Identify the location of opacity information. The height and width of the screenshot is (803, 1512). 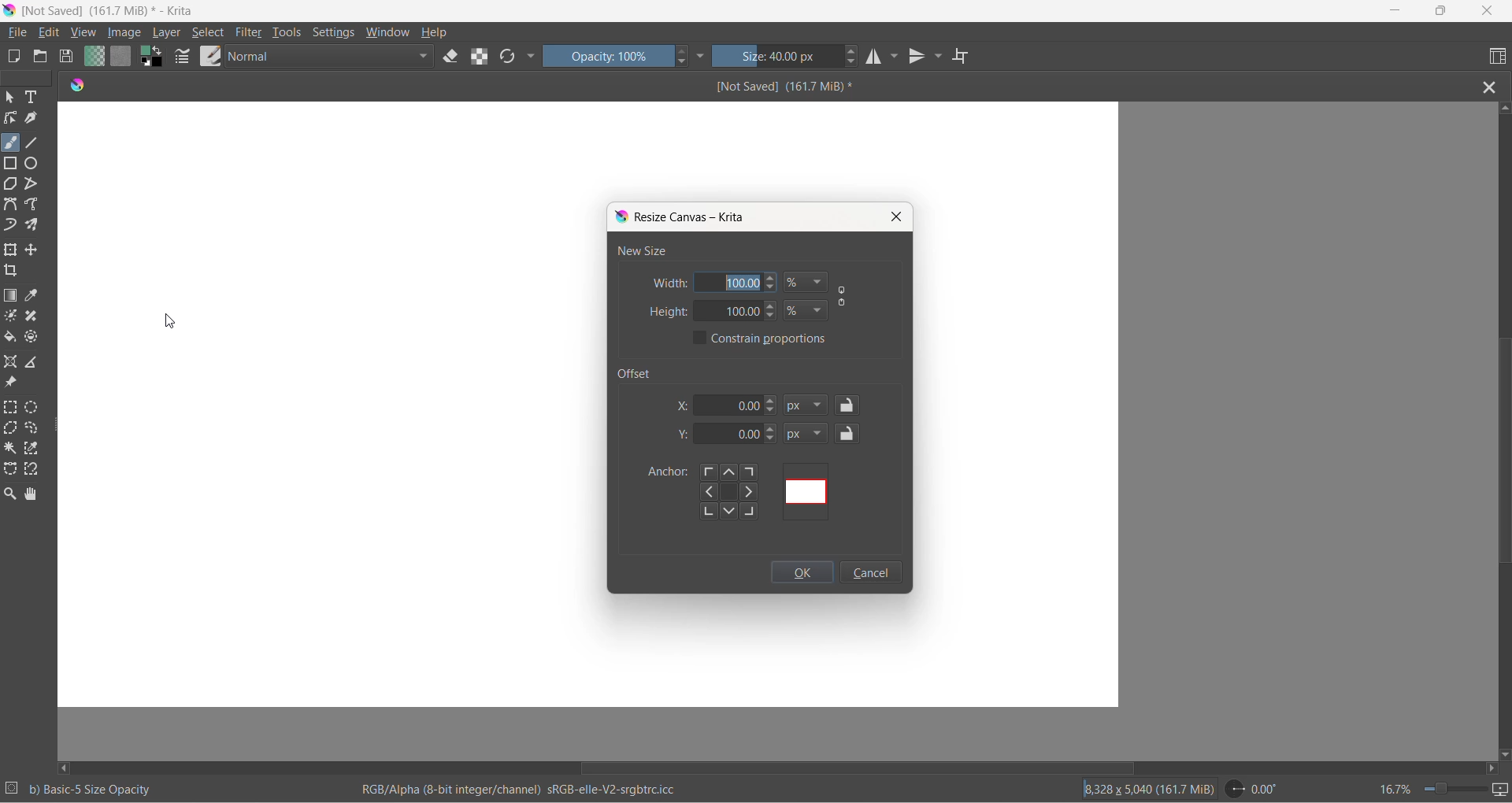
(92, 790).